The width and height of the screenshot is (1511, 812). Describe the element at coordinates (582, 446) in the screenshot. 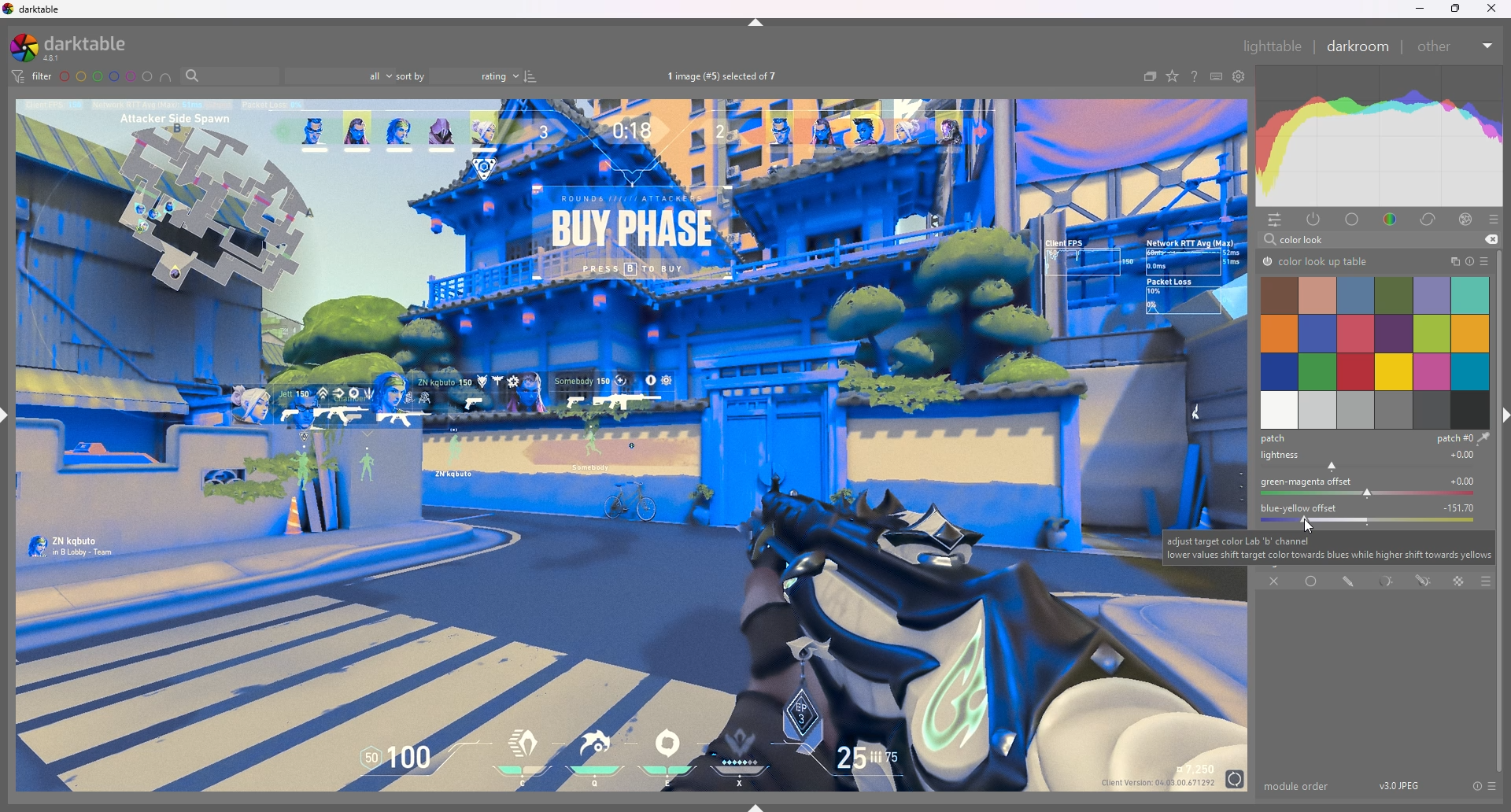

I see `image` at that location.